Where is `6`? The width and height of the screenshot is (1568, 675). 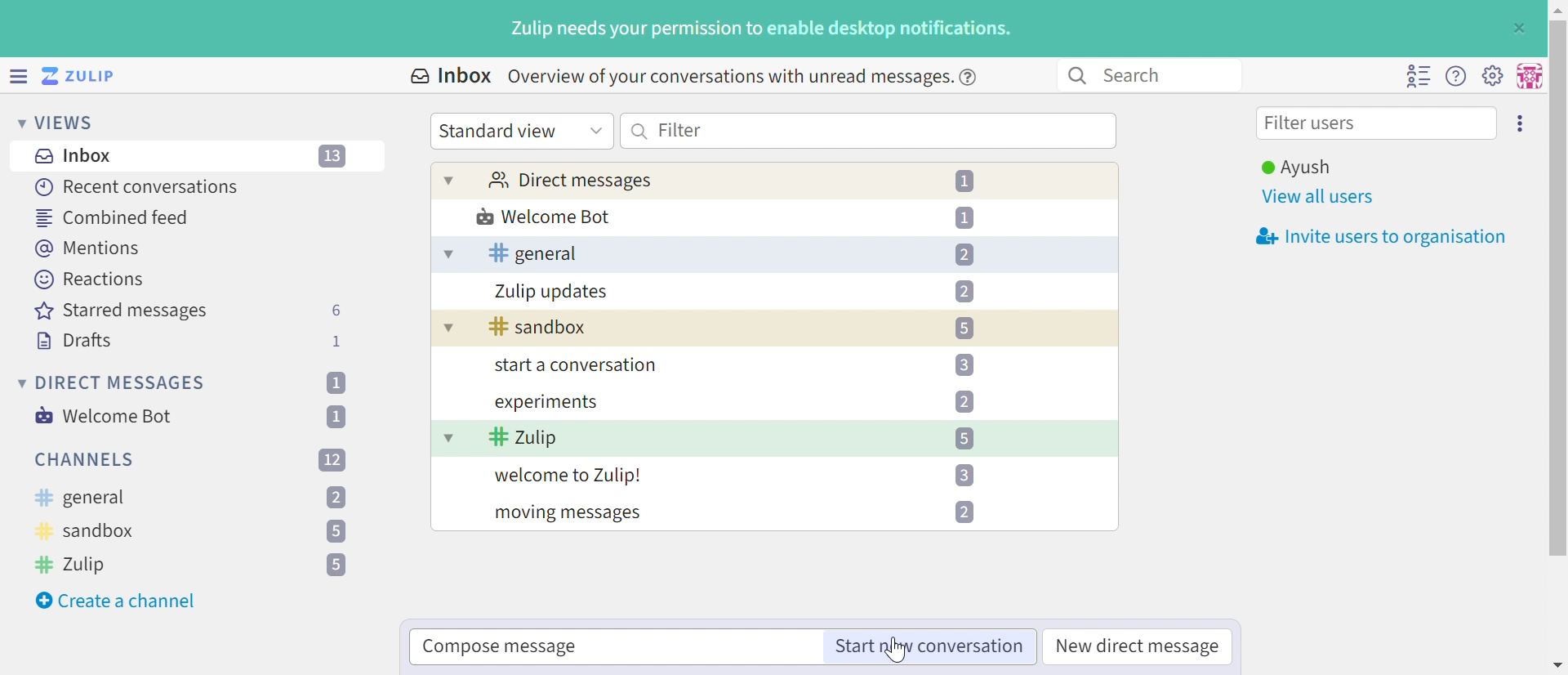 6 is located at coordinates (336, 311).